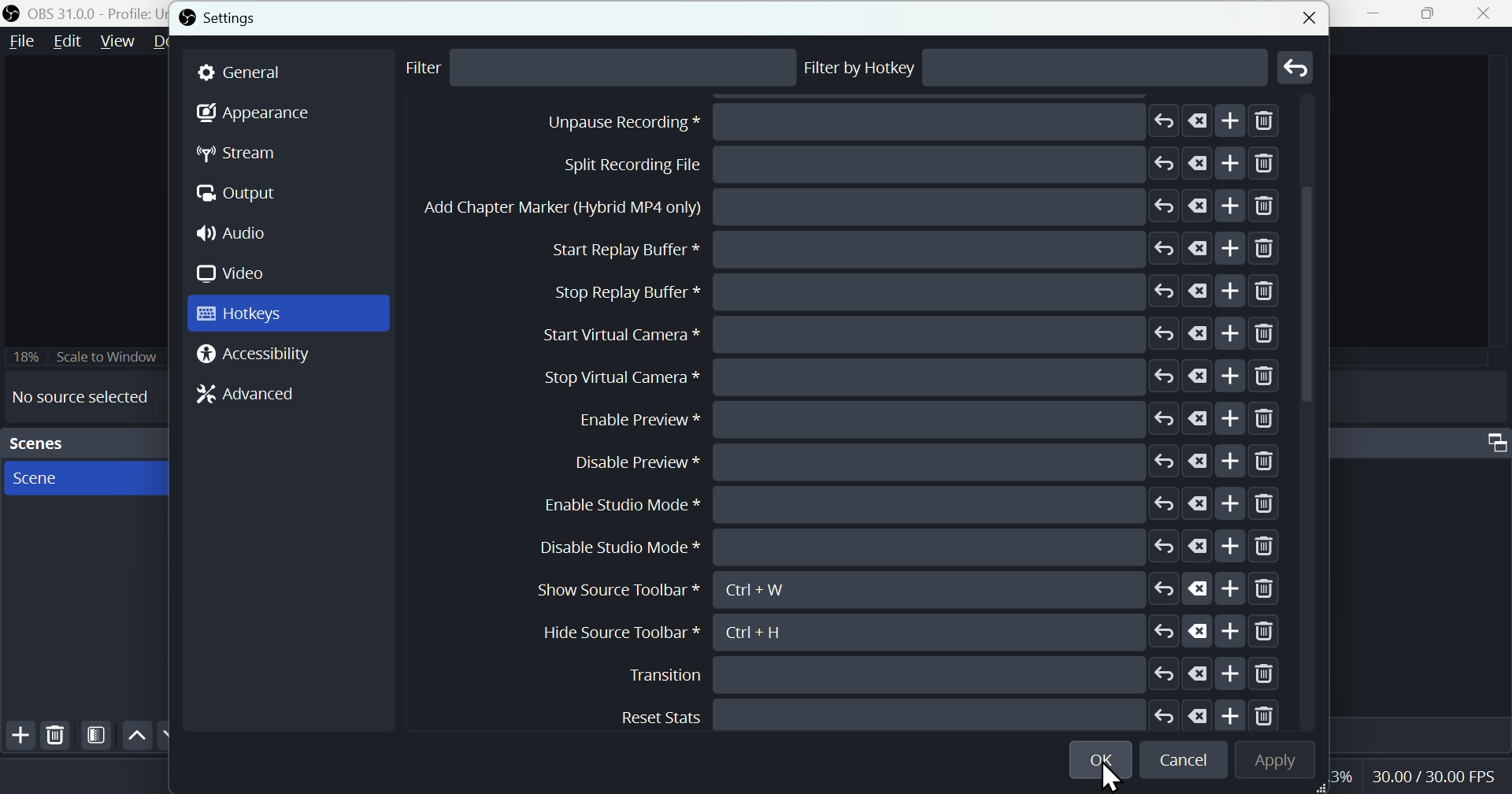  I want to click on Cursor, so click(1213, 632).